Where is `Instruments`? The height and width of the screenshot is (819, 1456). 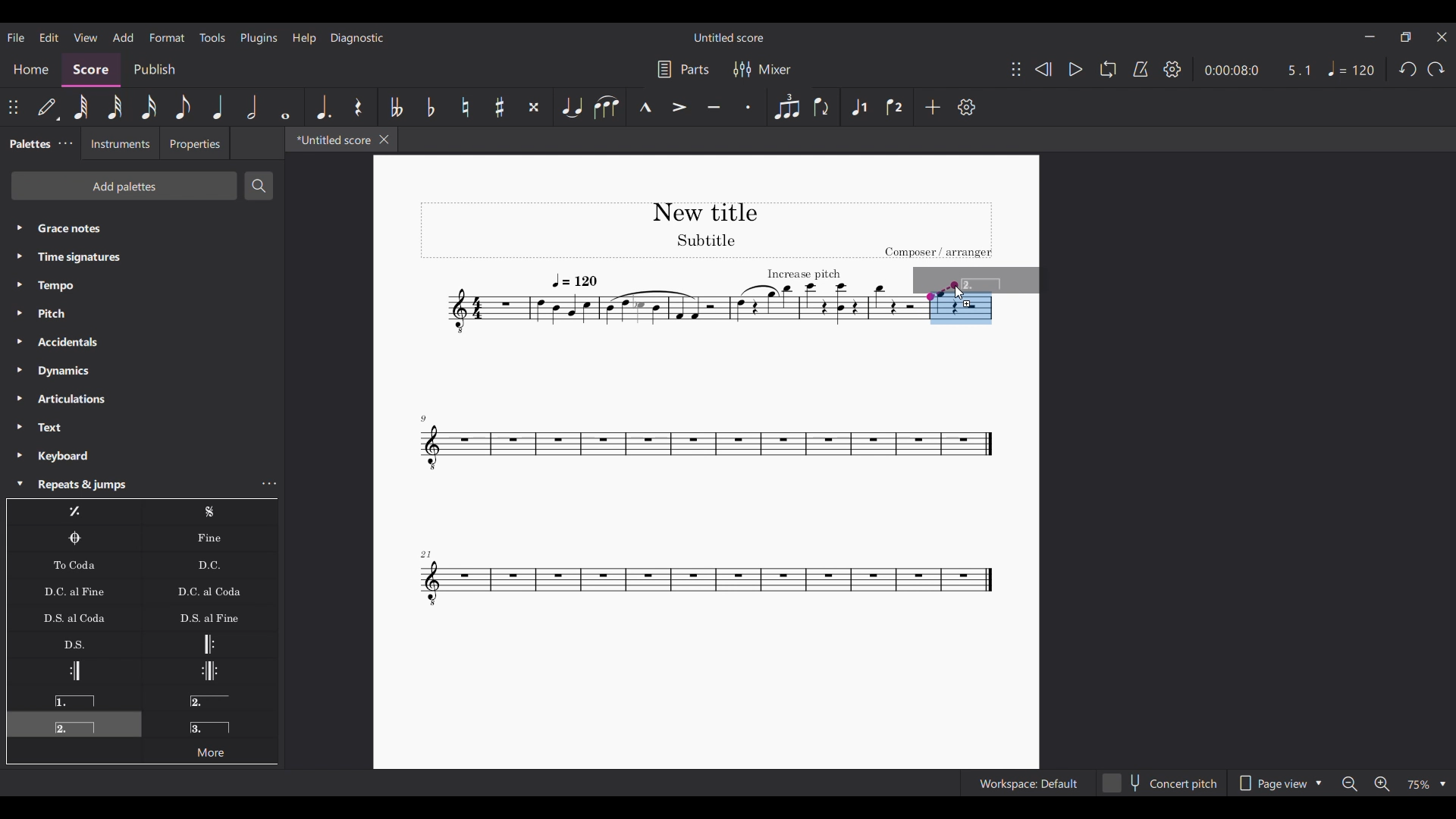
Instruments is located at coordinates (120, 143).